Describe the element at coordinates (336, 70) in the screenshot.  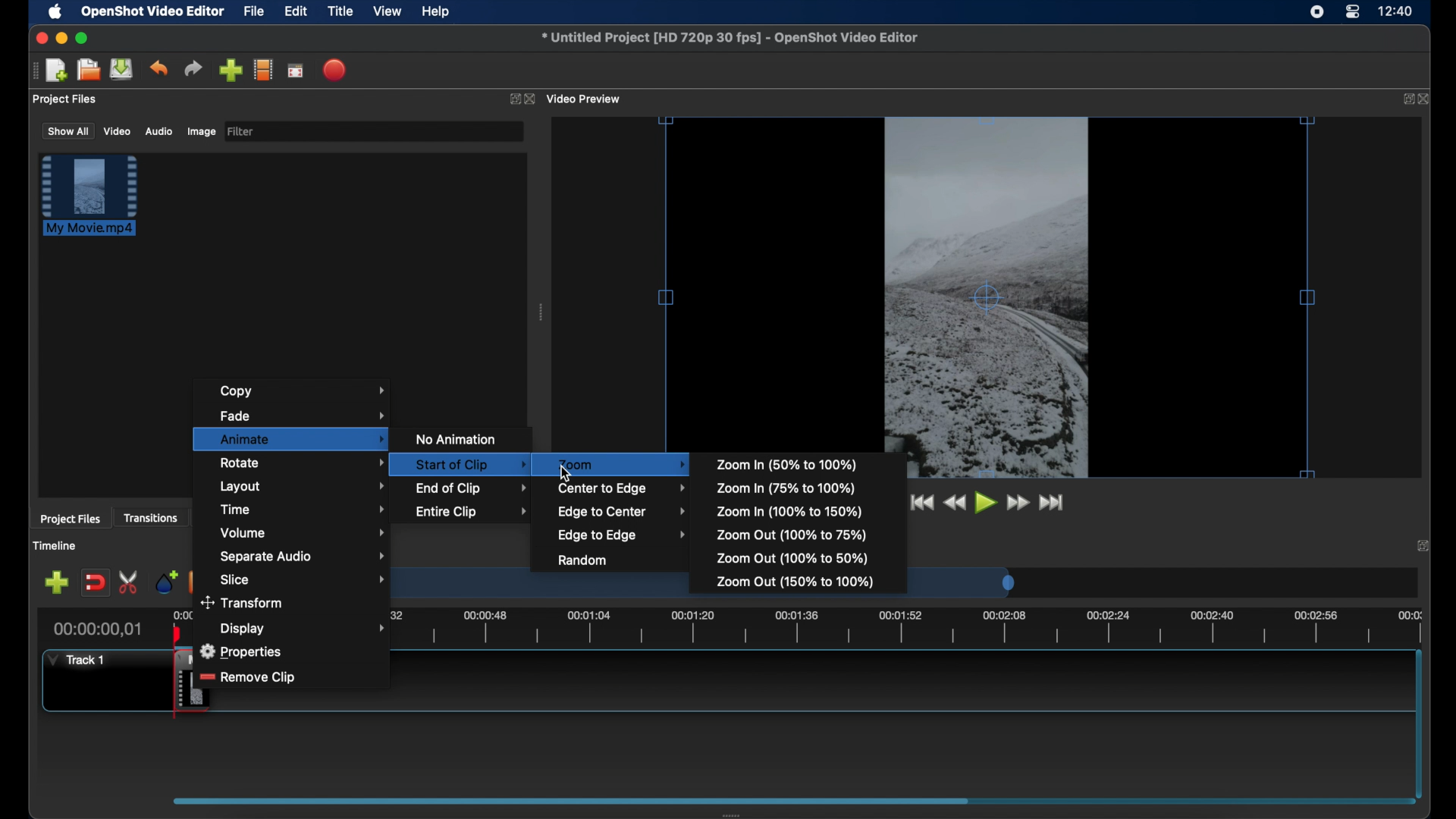
I see `export video` at that location.